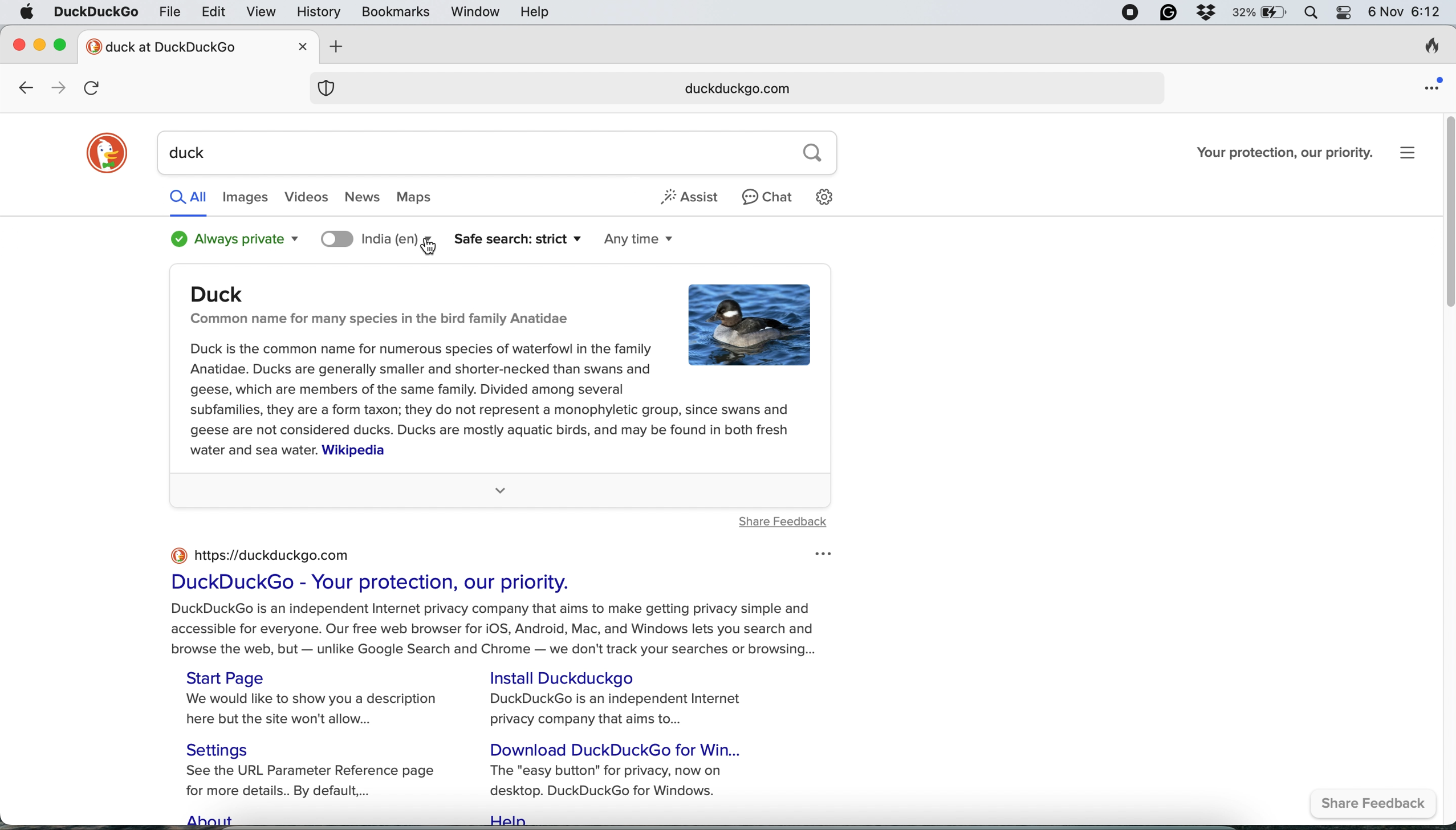 The width and height of the screenshot is (1456, 830). I want to click on maximise, so click(66, 44).